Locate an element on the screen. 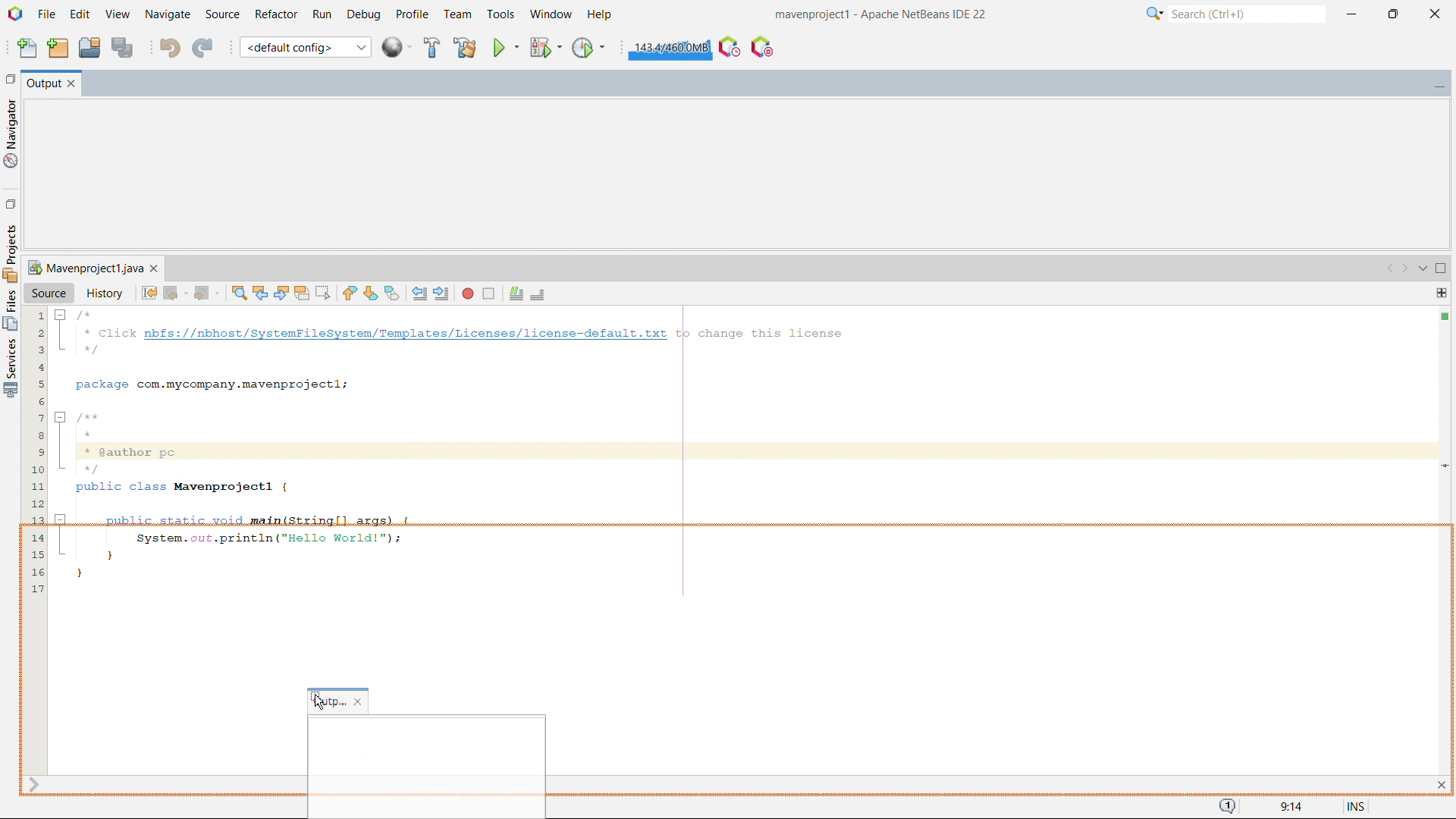 This screenshot has height=819, width=1456. previous bookmark is located at coordinates (349, 293).